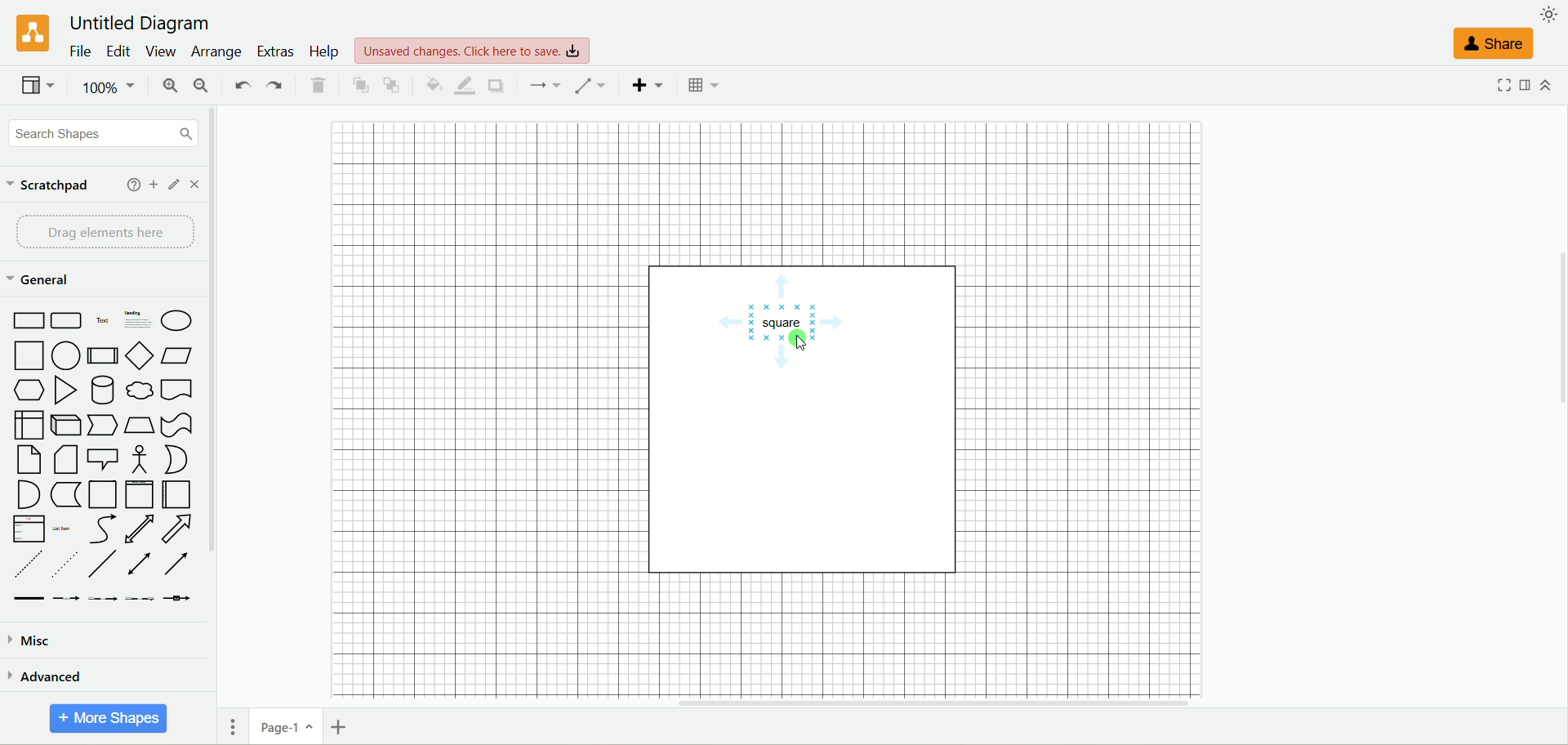 This screenshot has height=745, width=1568. I want to click on insert, so click(649, 85).